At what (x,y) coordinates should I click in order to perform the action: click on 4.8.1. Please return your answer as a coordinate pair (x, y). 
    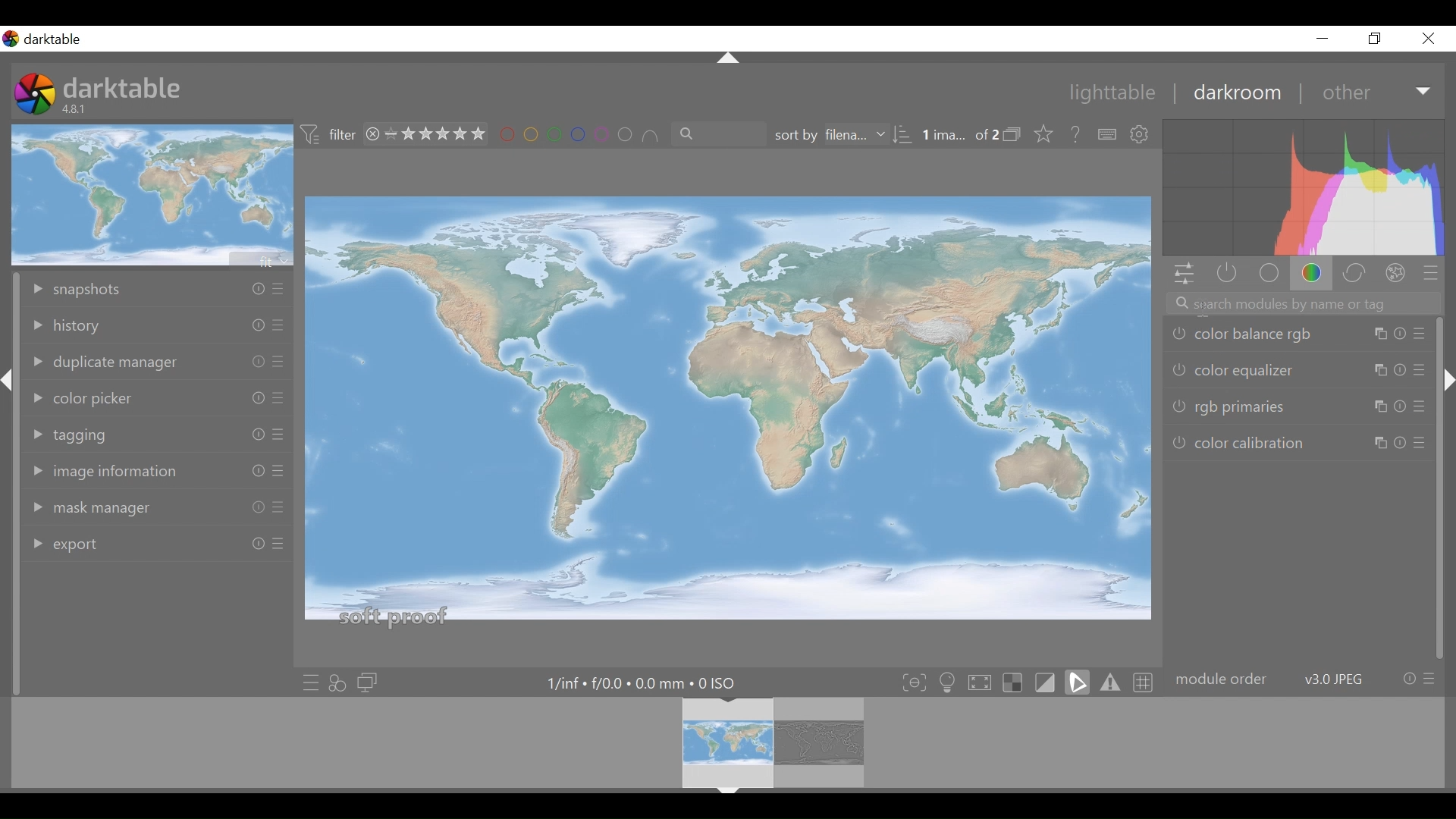
    Looking at the image, I should click on (77, 108).